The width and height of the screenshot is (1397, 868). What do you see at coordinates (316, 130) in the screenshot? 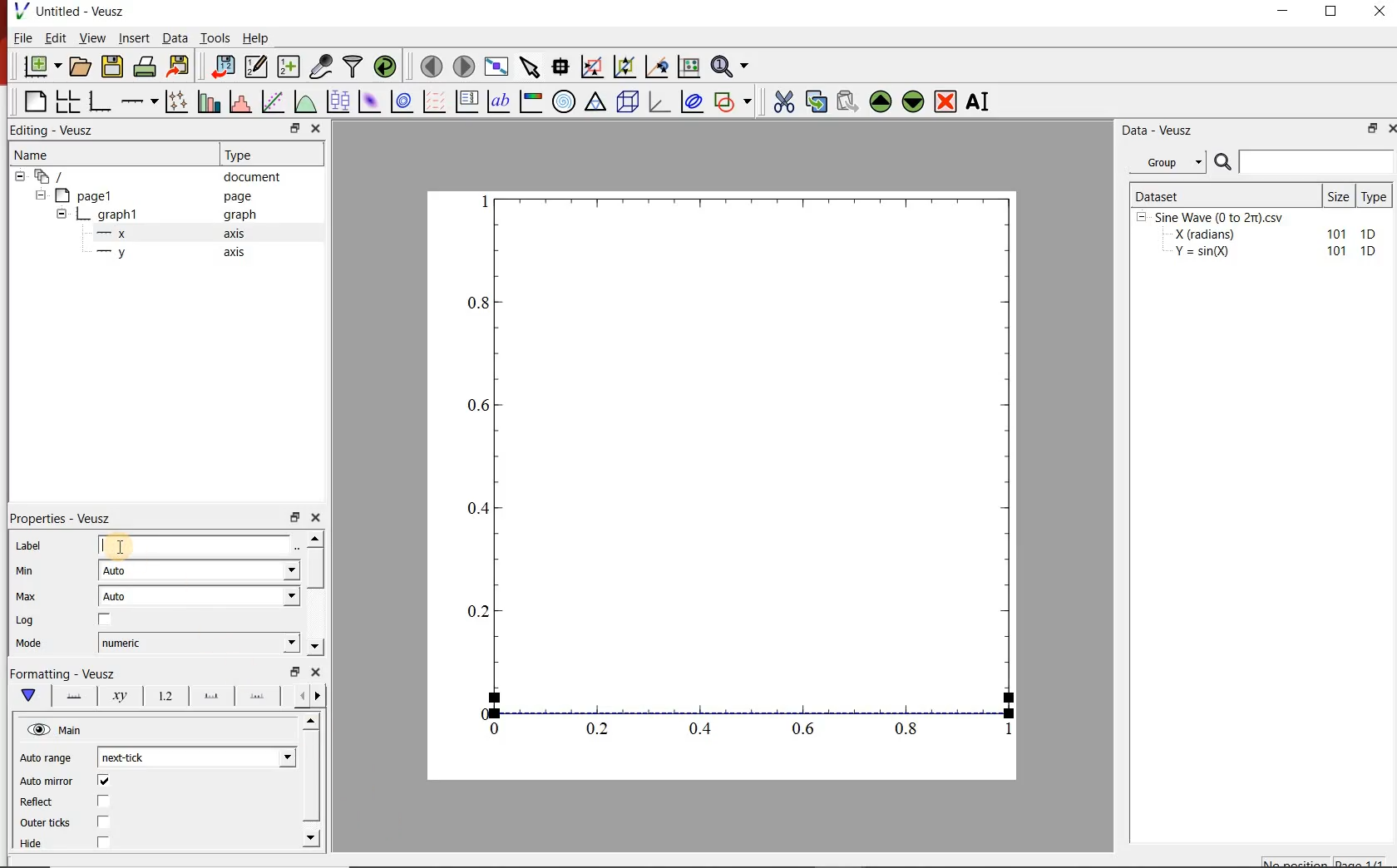
I see `Close` at bounding box center [316, 130].